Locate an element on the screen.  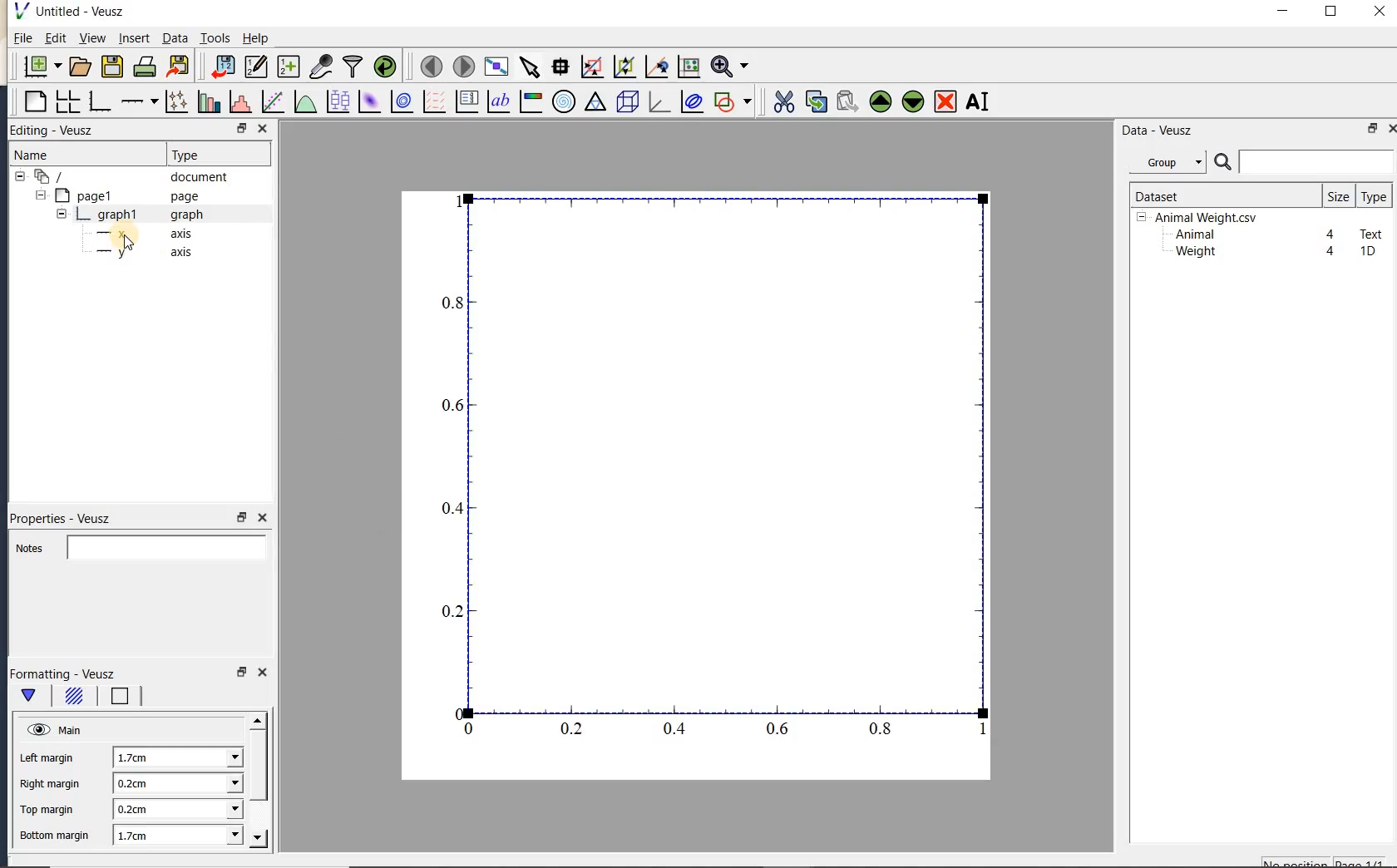
close is located at coordinates (1391, 129).